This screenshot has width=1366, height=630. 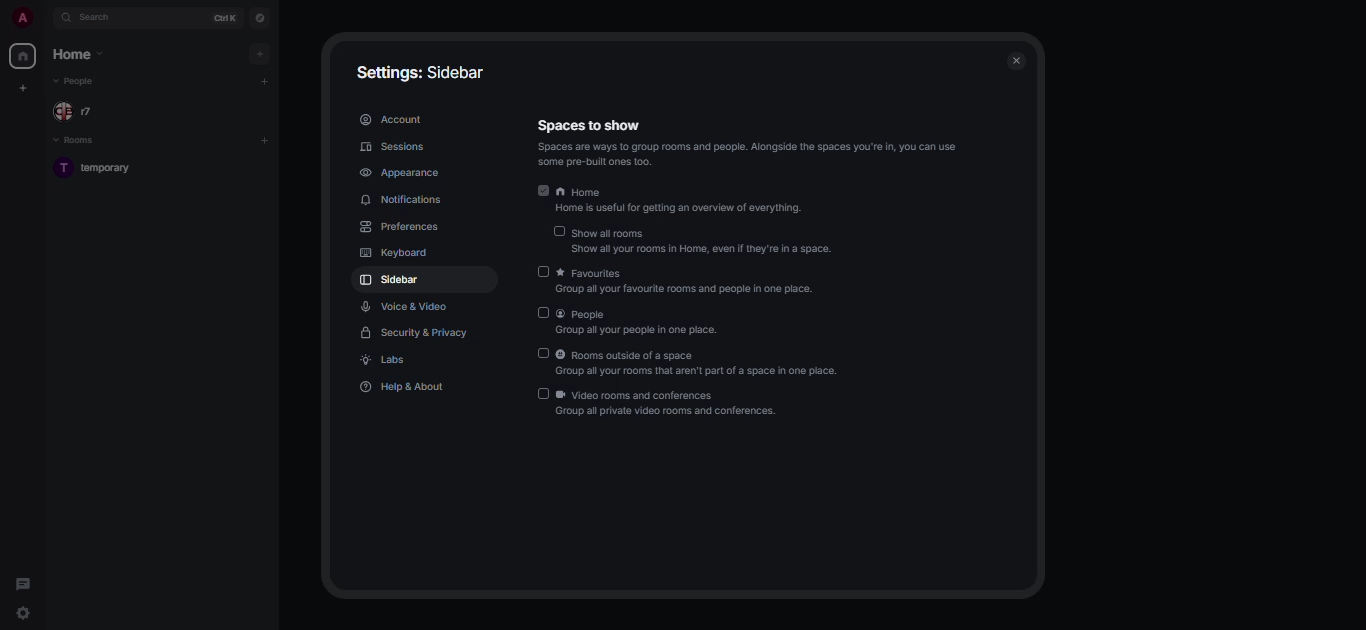 I want to click on keyboard, so click(x=400, y=252).